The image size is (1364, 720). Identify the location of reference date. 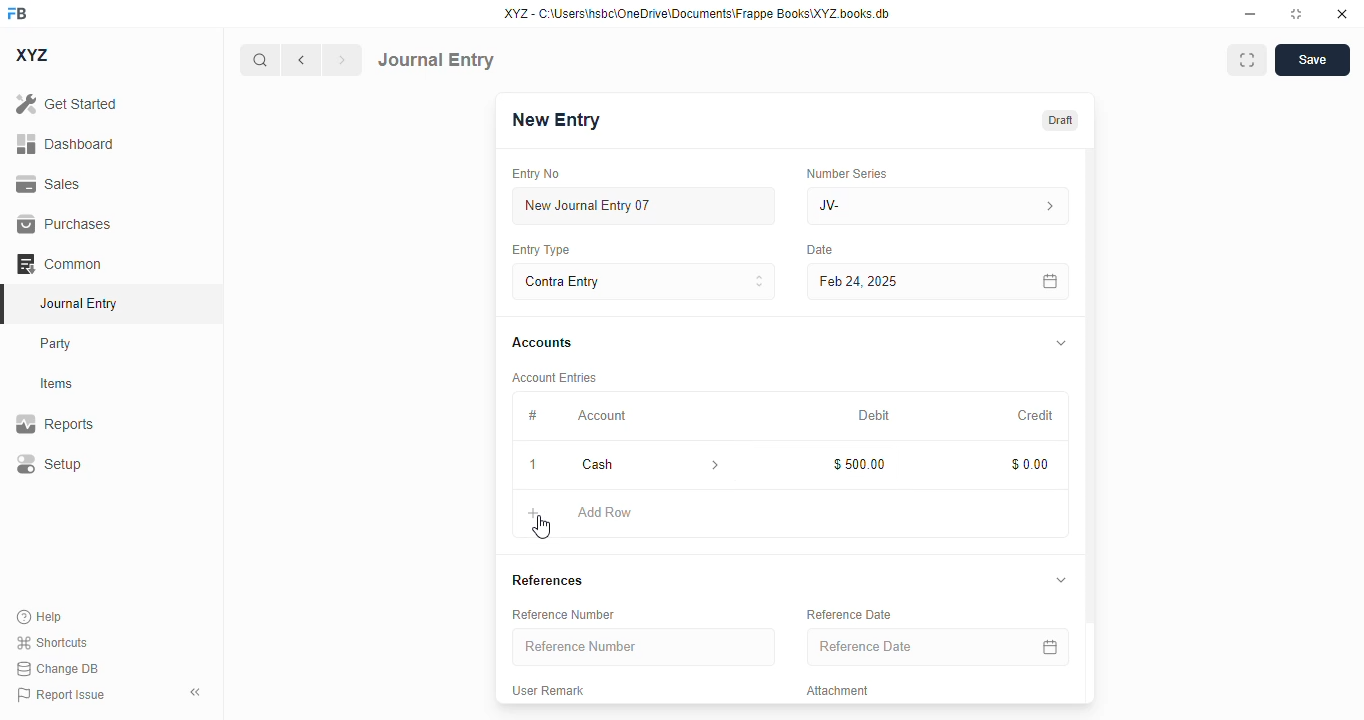
(850, 614).